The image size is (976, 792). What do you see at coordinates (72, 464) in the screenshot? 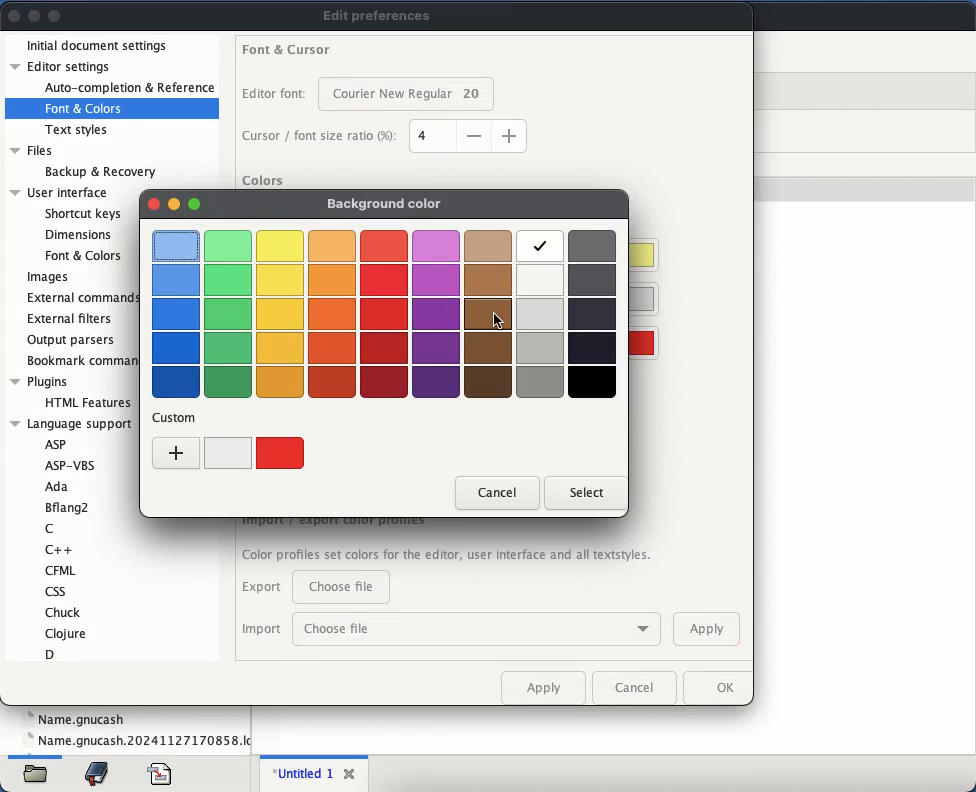
I see `ASP-VBS` at bounding box center [72, 464].